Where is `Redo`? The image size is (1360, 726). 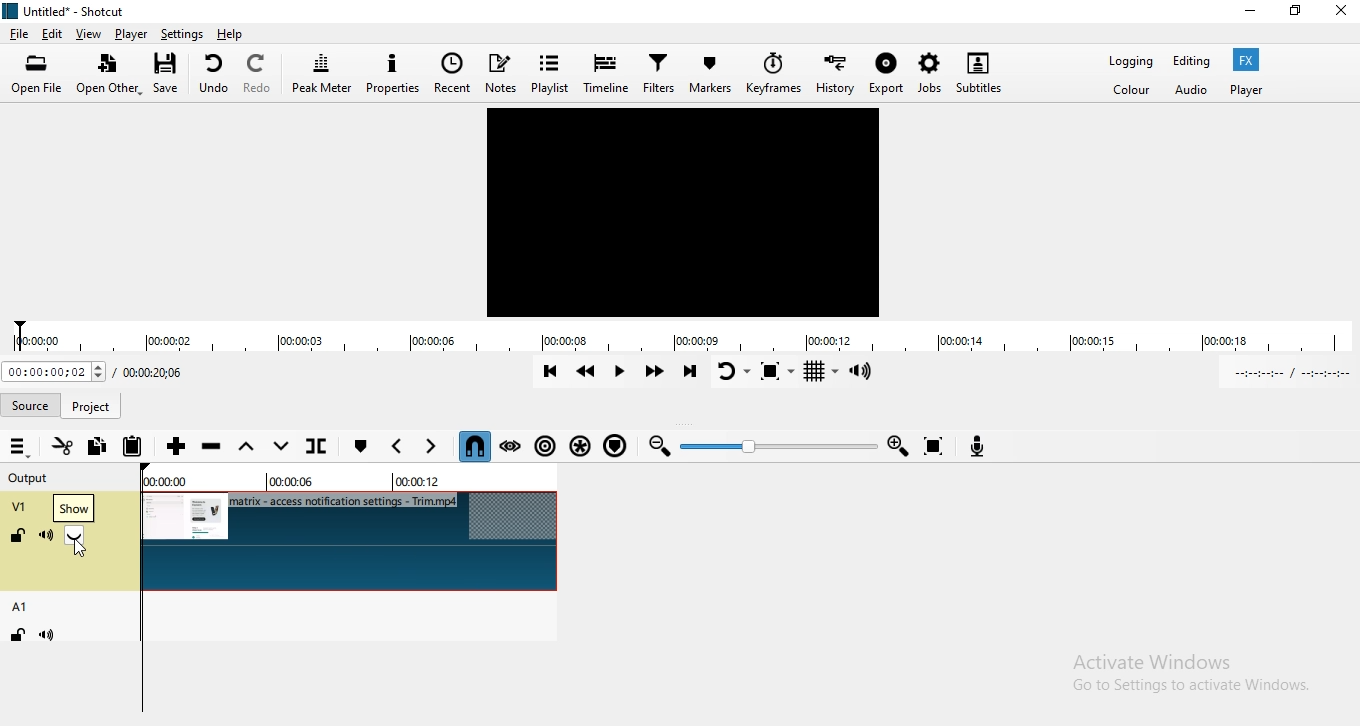
Redo is located at coordinates (265, 76).